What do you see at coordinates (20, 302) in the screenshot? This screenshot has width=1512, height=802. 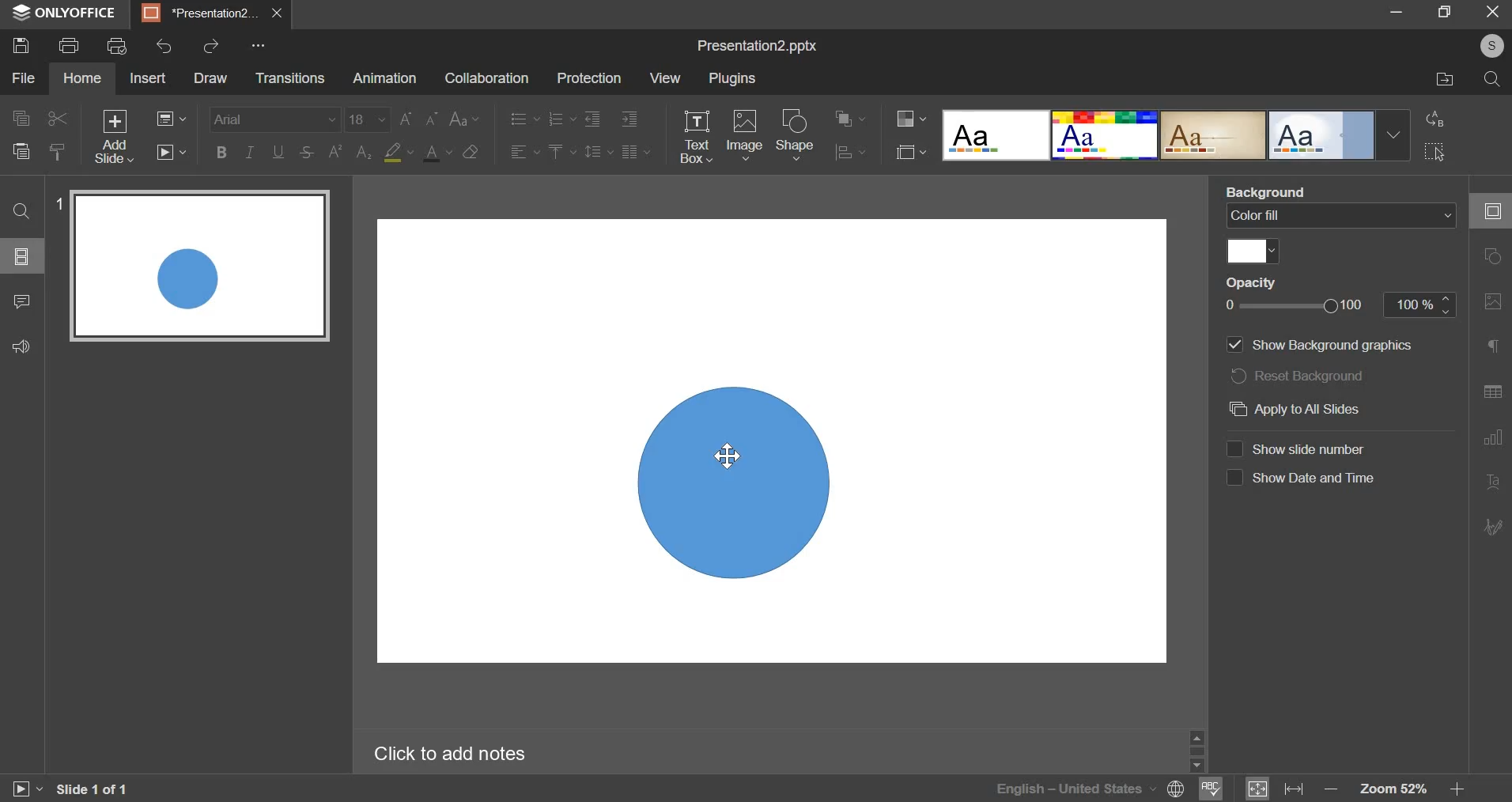 I see `comment` at bounding box center [20, 302].